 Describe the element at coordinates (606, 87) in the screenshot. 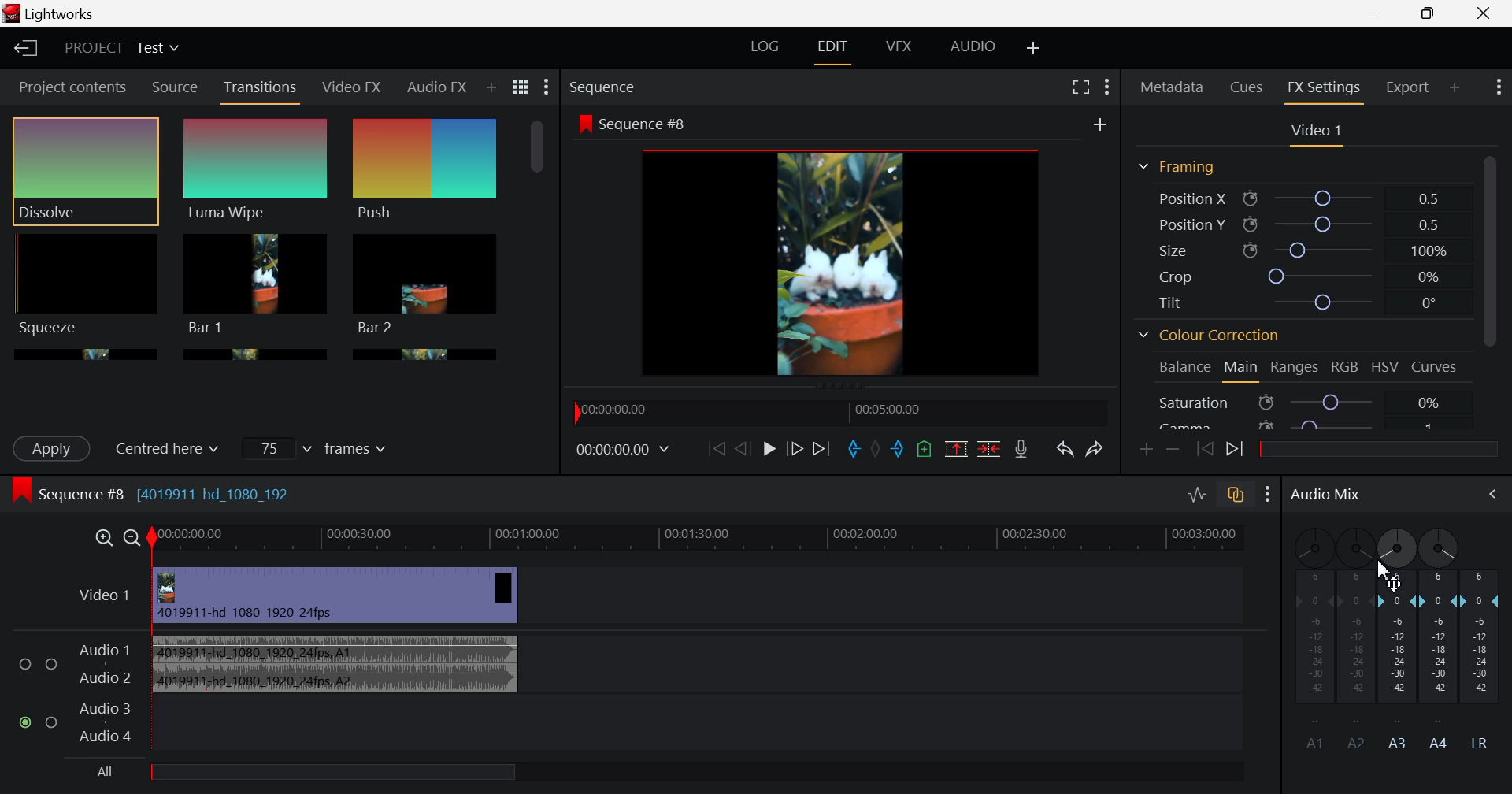

I see `Sequence Preview Section` at that location.